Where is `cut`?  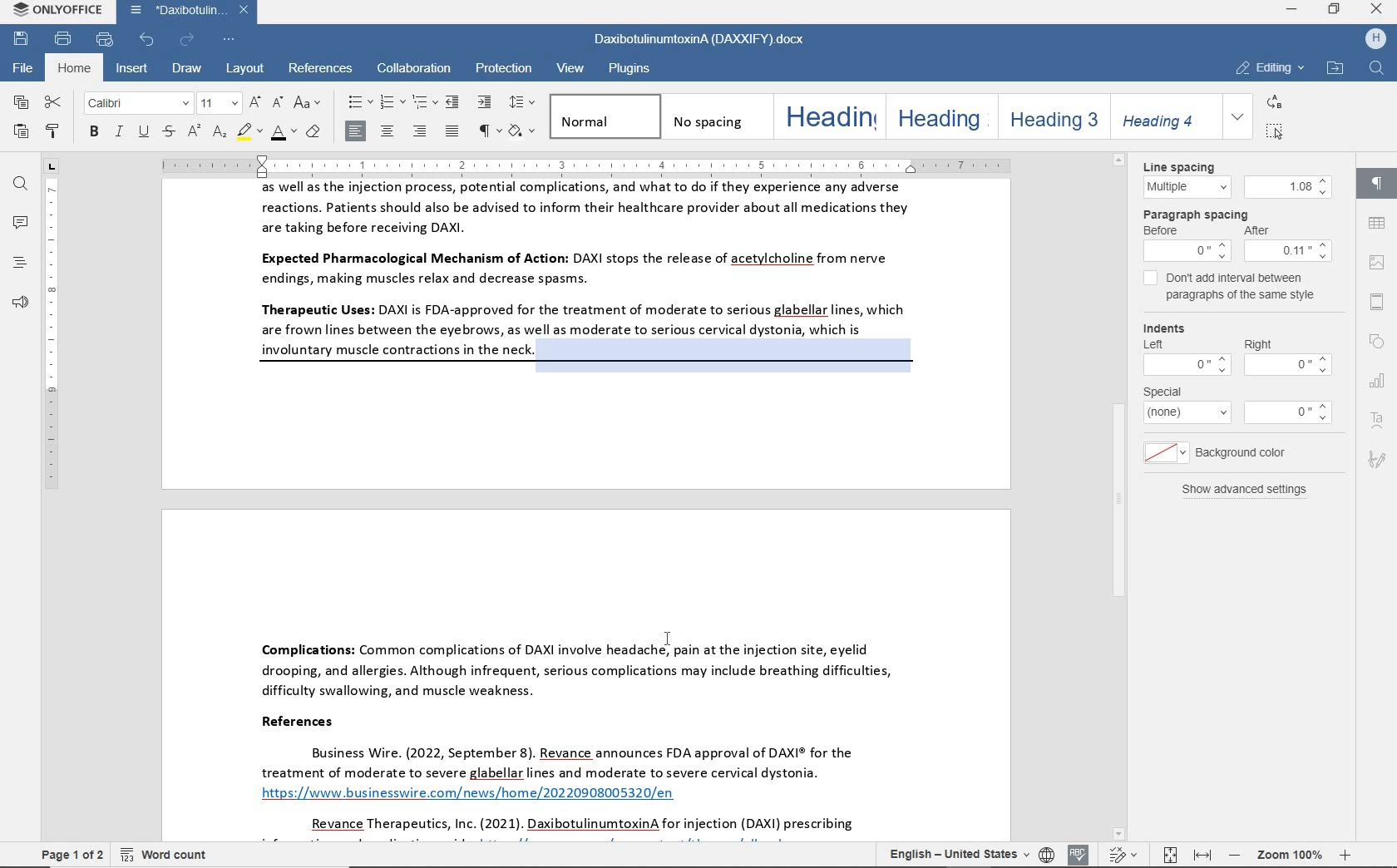
cut is located at coordinates (53, 103).